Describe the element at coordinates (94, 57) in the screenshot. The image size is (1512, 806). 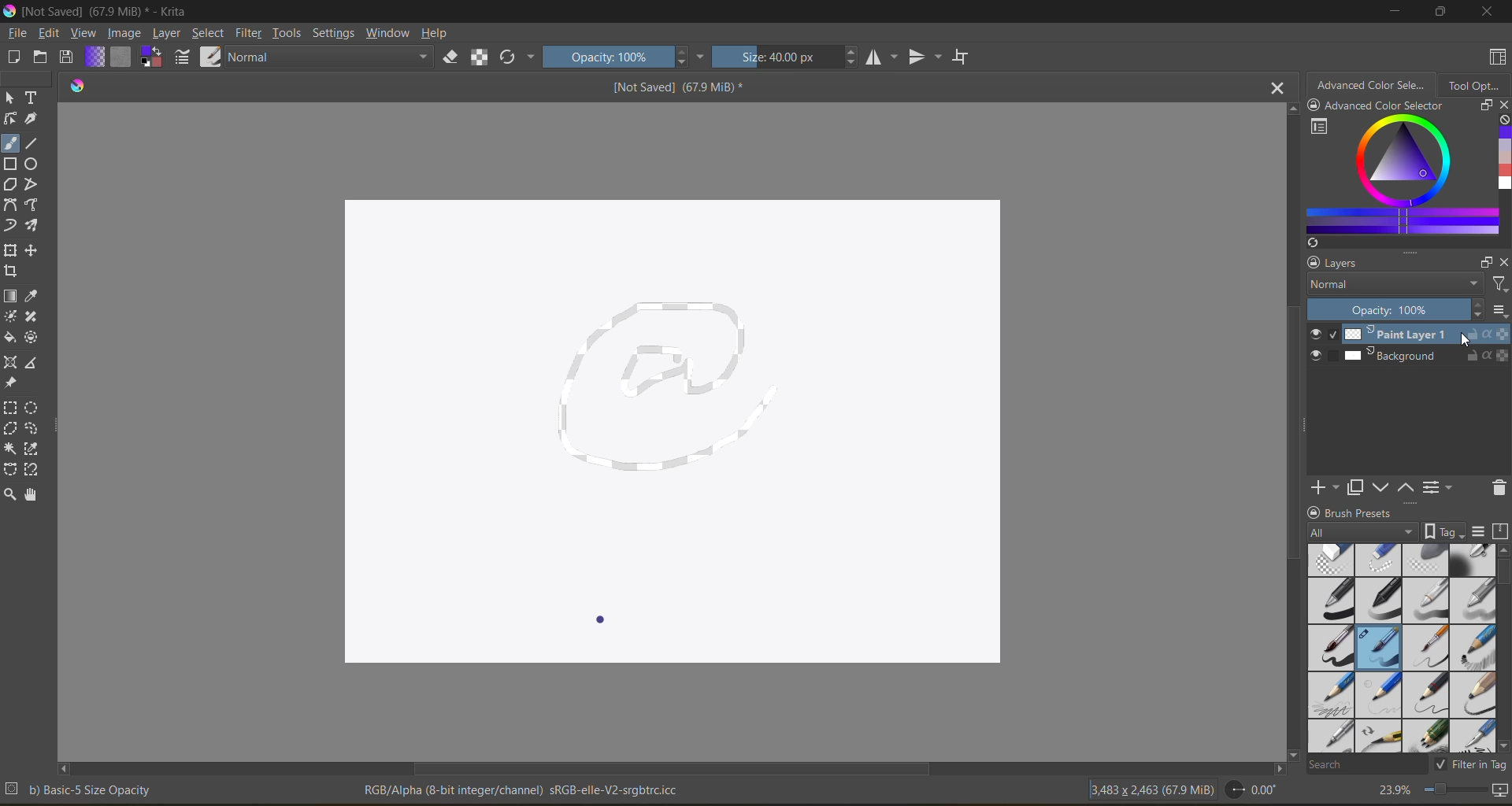
I see `fill gradients` at that location.